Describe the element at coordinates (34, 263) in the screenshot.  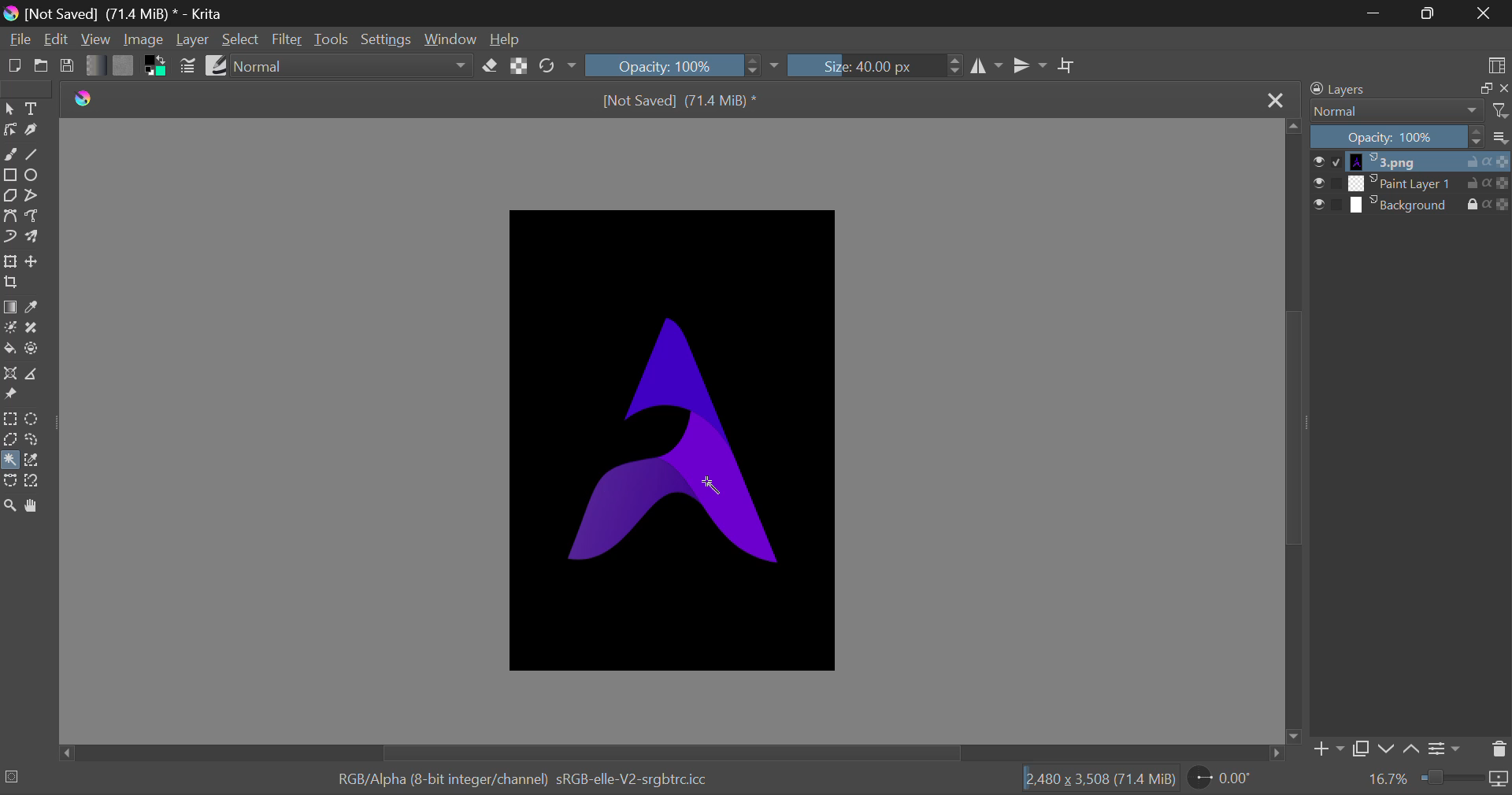
I see `Move Layers` at that location.